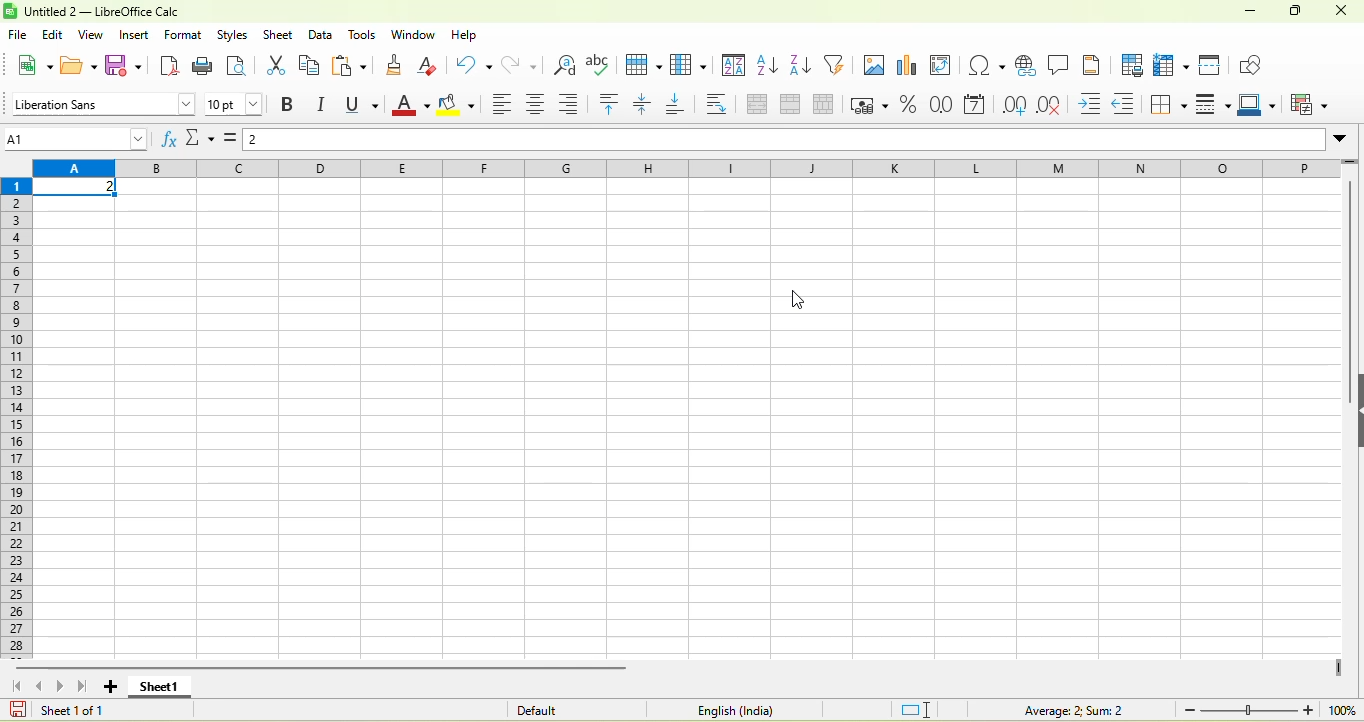 Image resolution: width=1364 pixels, height=722 pixels. I want to click on open, so click(82, 64).